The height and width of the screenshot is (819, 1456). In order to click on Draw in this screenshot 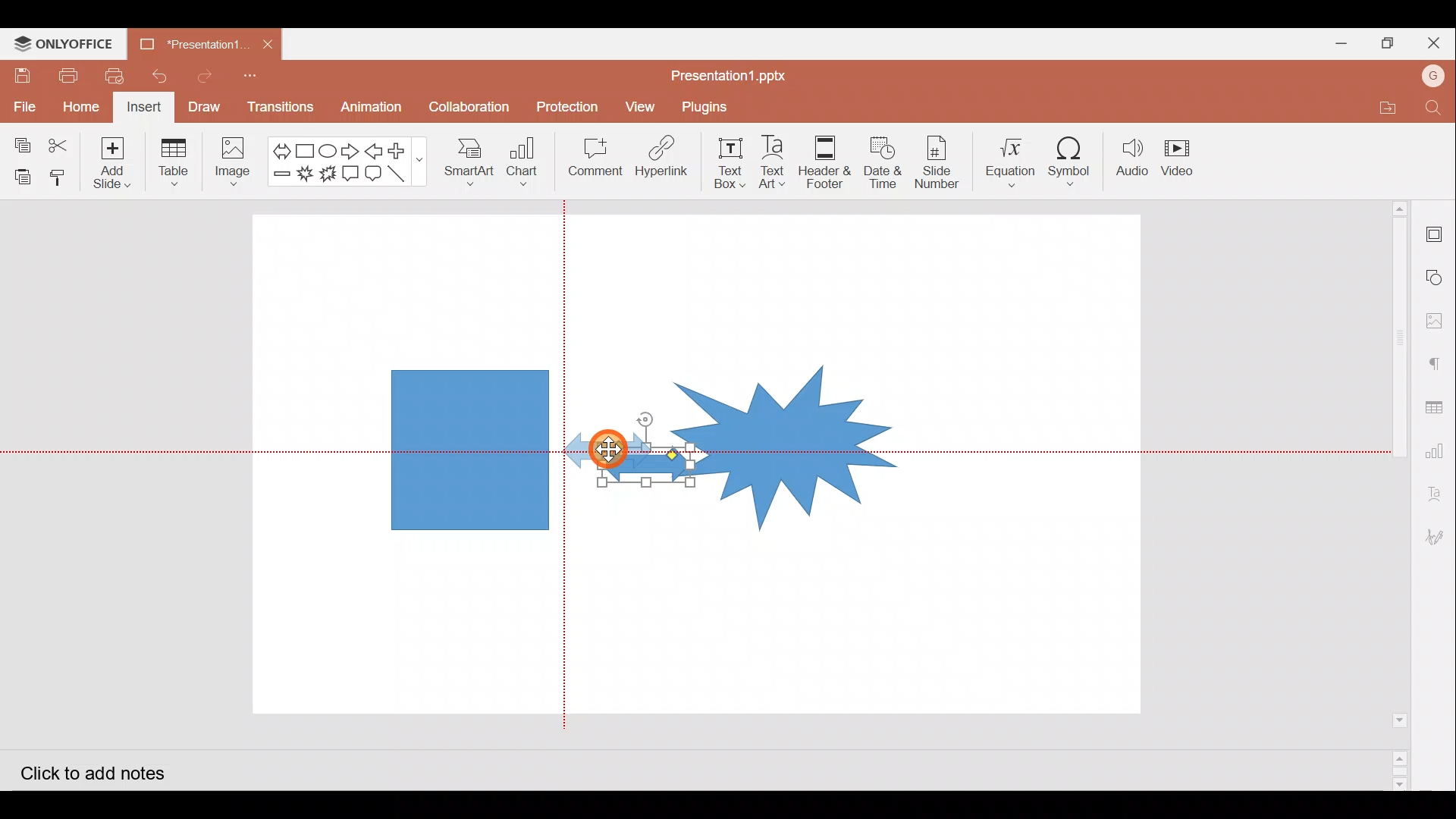, I will do `click(209, 108)`.